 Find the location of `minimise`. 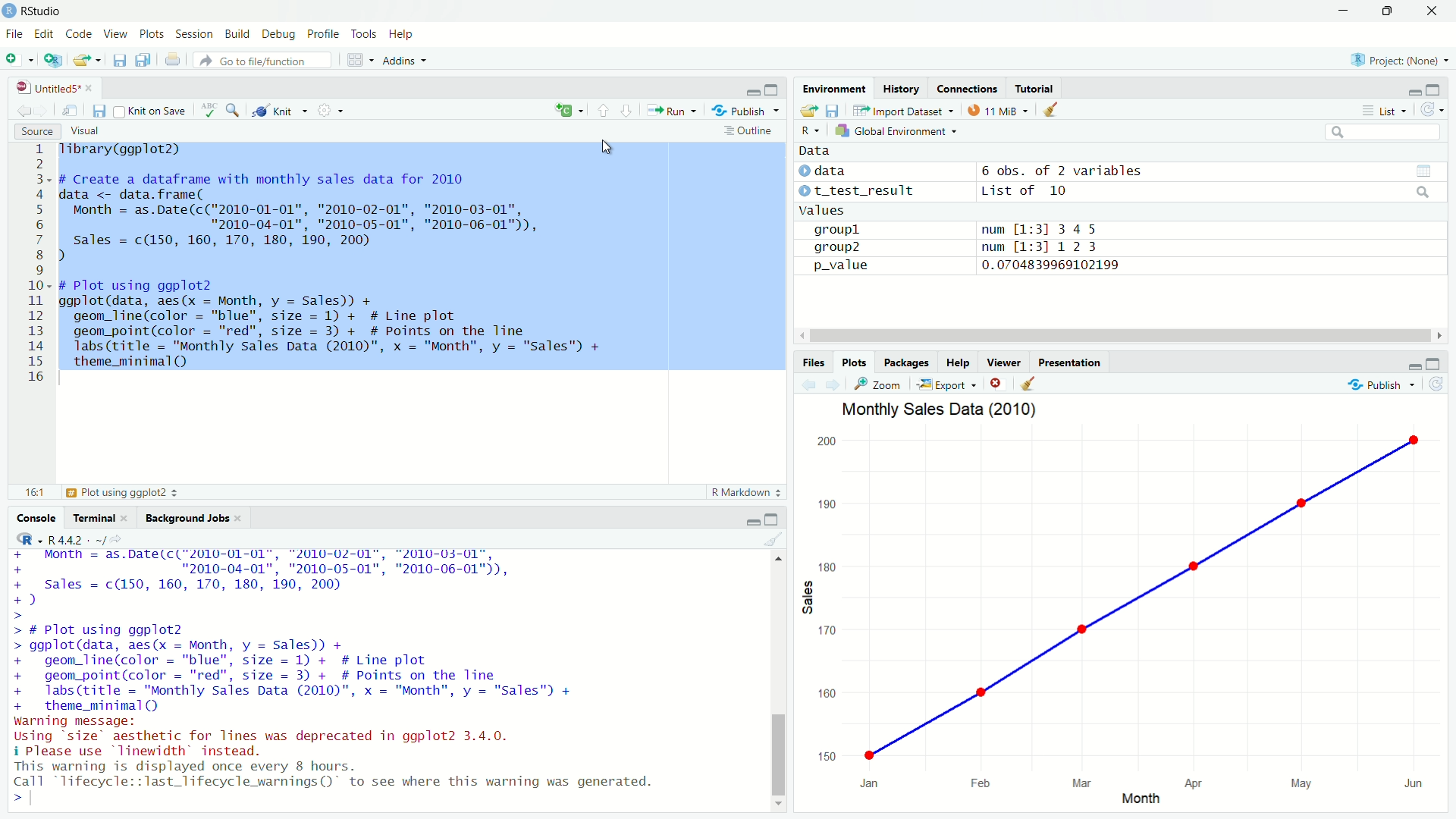

minimise is located at coordinates (1413, 365).